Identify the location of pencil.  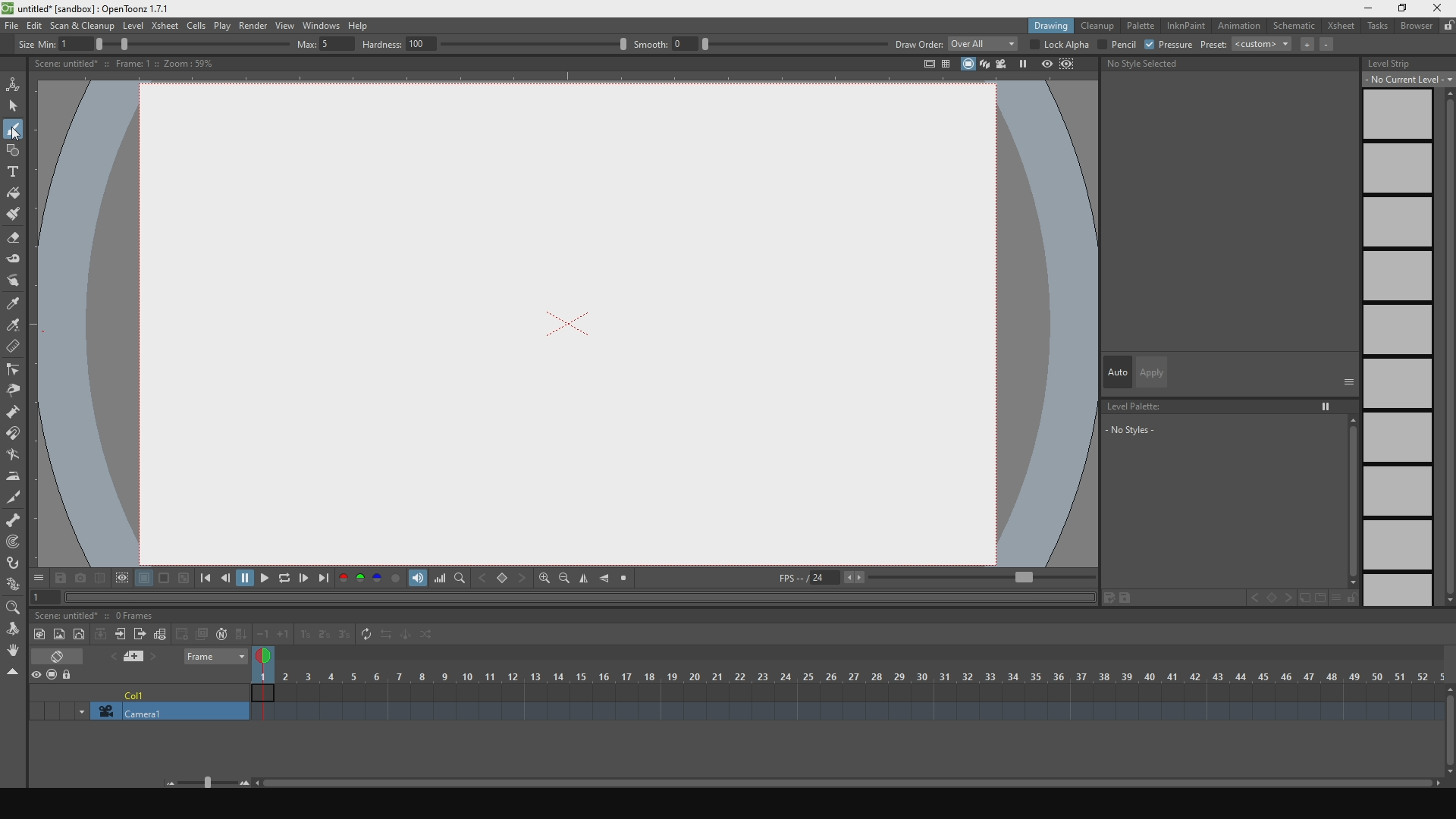
(1116, 45).